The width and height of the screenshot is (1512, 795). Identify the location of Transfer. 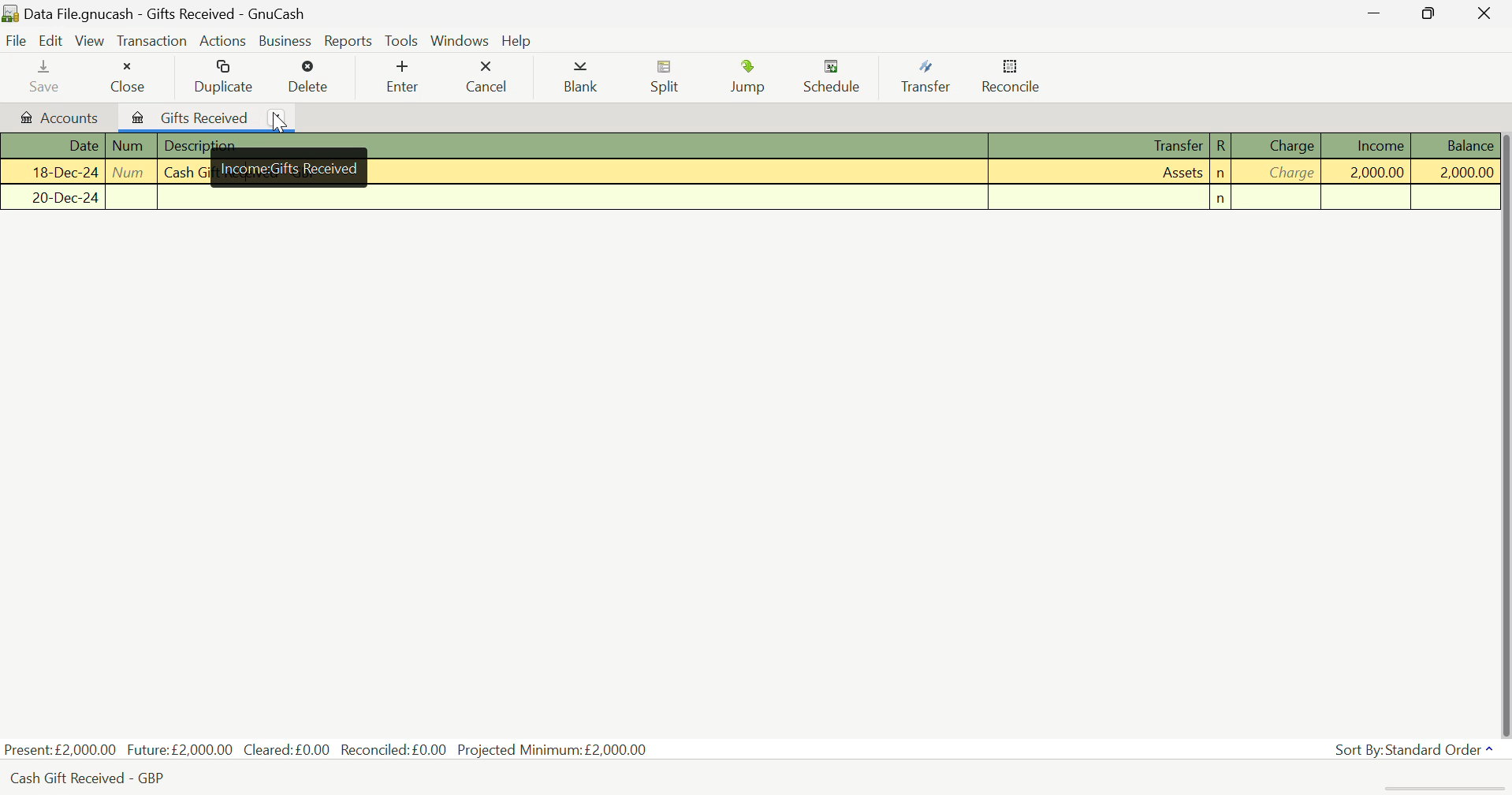
(932, 77).